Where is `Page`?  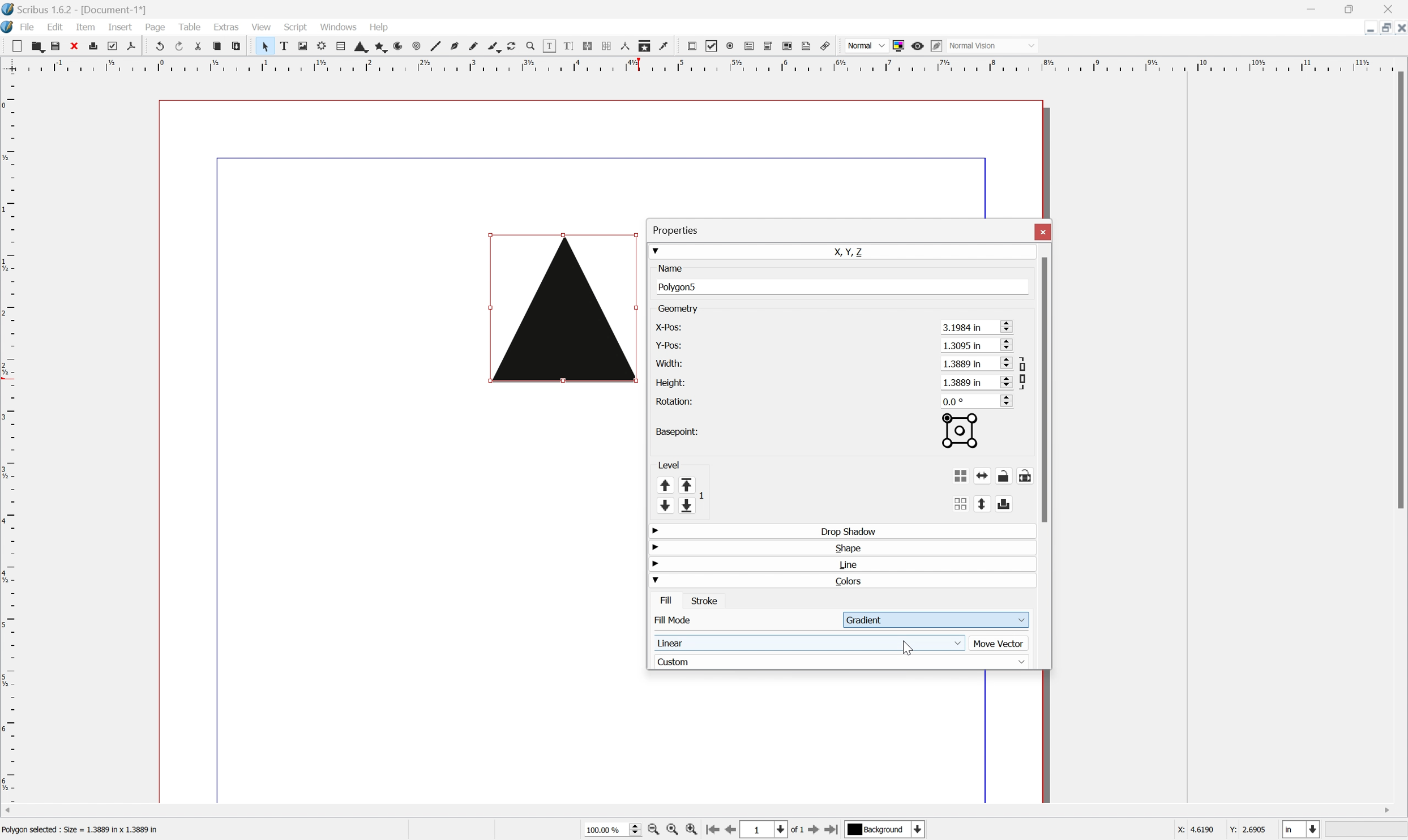
Page is located at coordinates (155, 27).